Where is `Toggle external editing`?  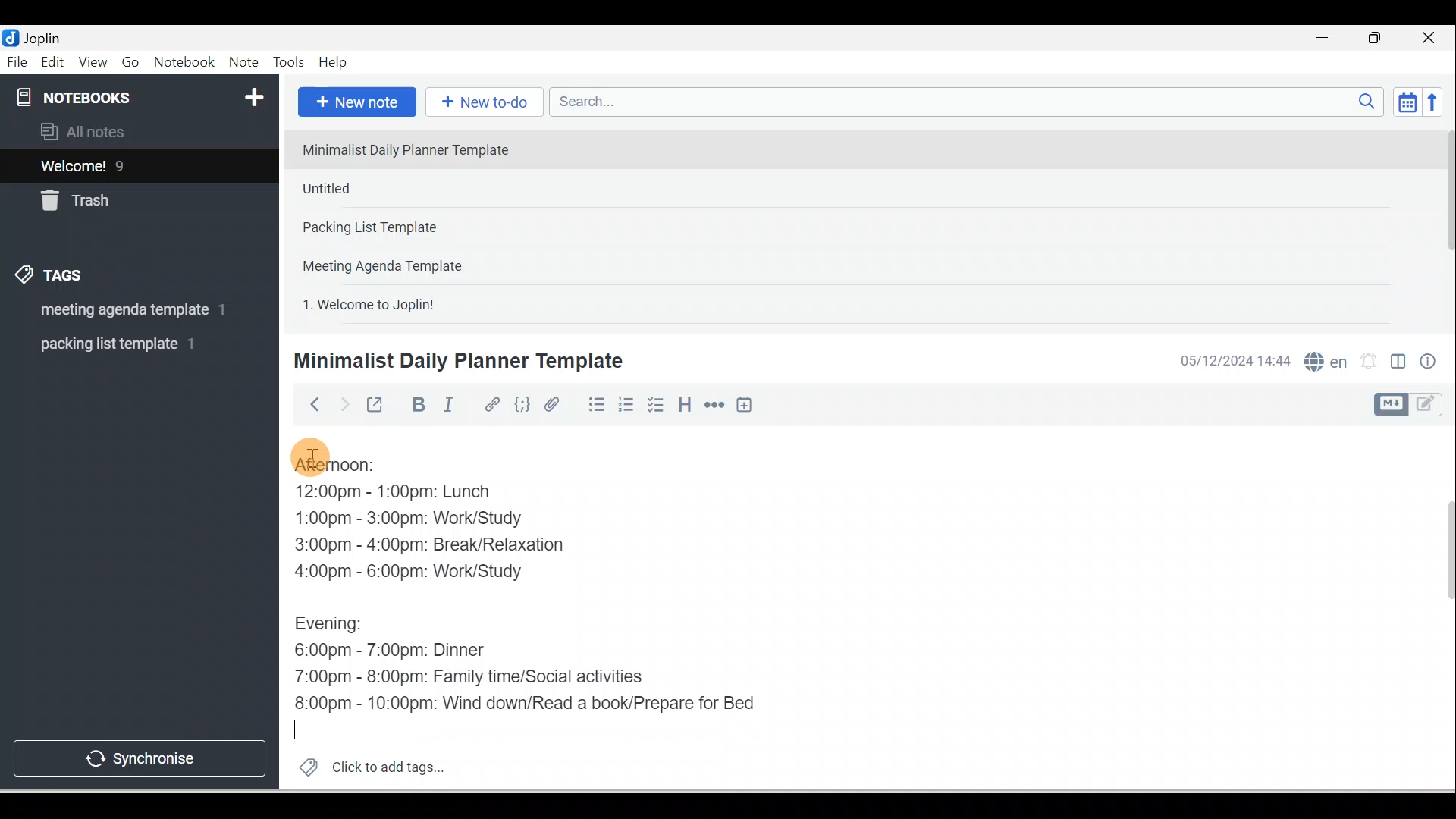 Toggle external editing is located at coordinates (377, 408).